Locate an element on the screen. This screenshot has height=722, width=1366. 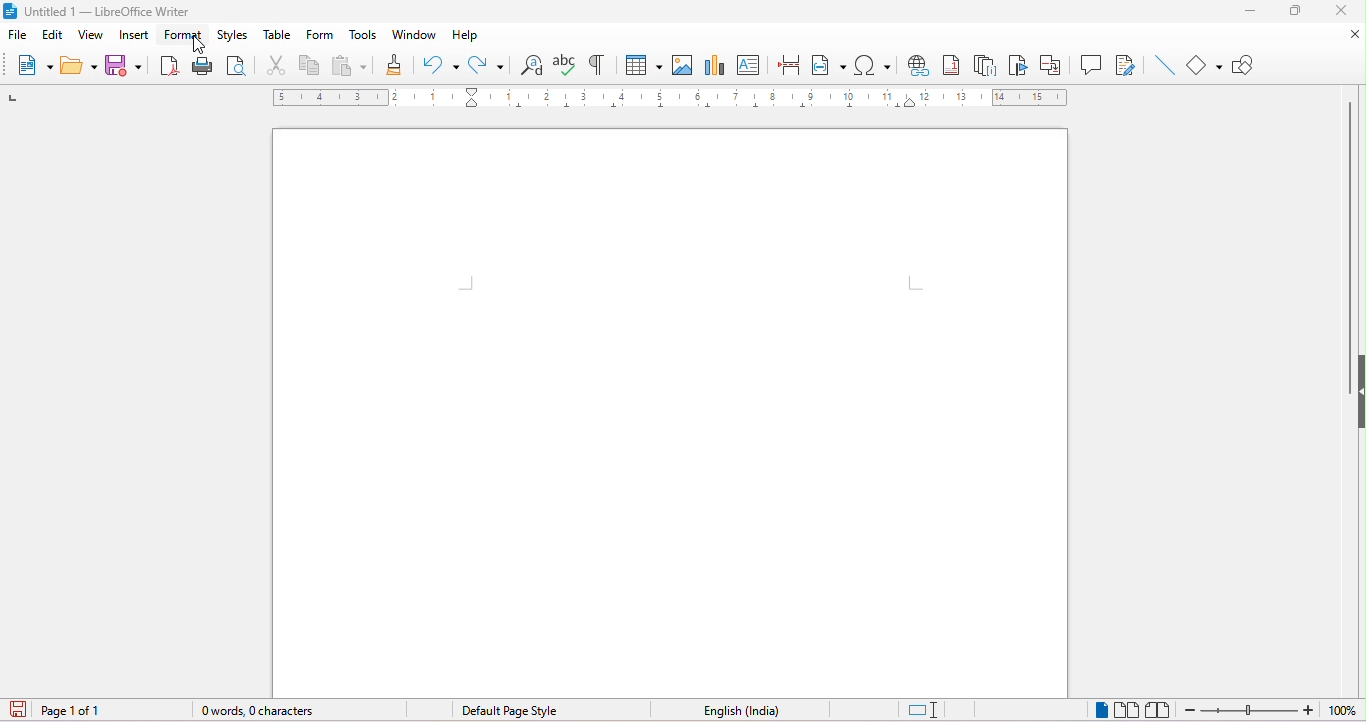
 is located at coordinates (96, 33).